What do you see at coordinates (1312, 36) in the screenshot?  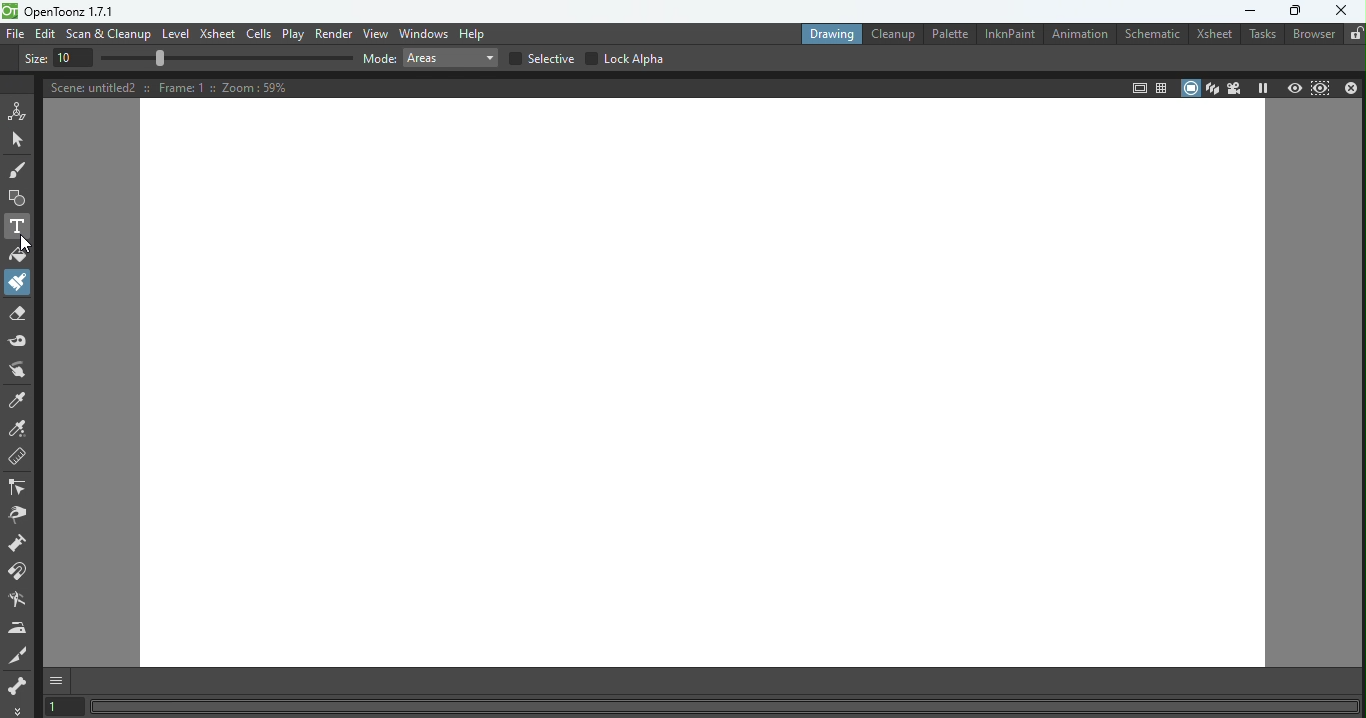 I see `Browser` at bounding box center [1312, 36].